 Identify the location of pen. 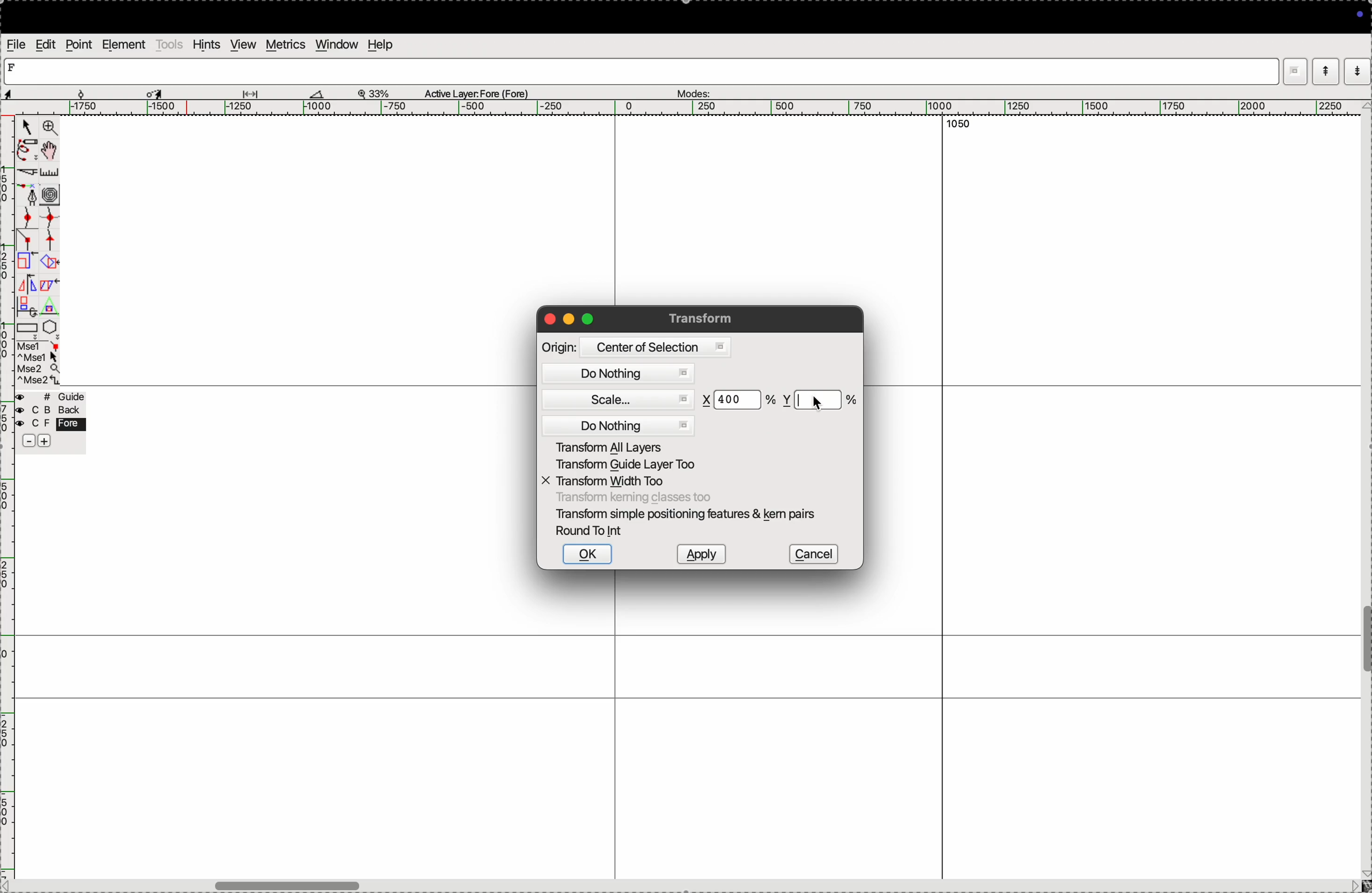
(25, 152).